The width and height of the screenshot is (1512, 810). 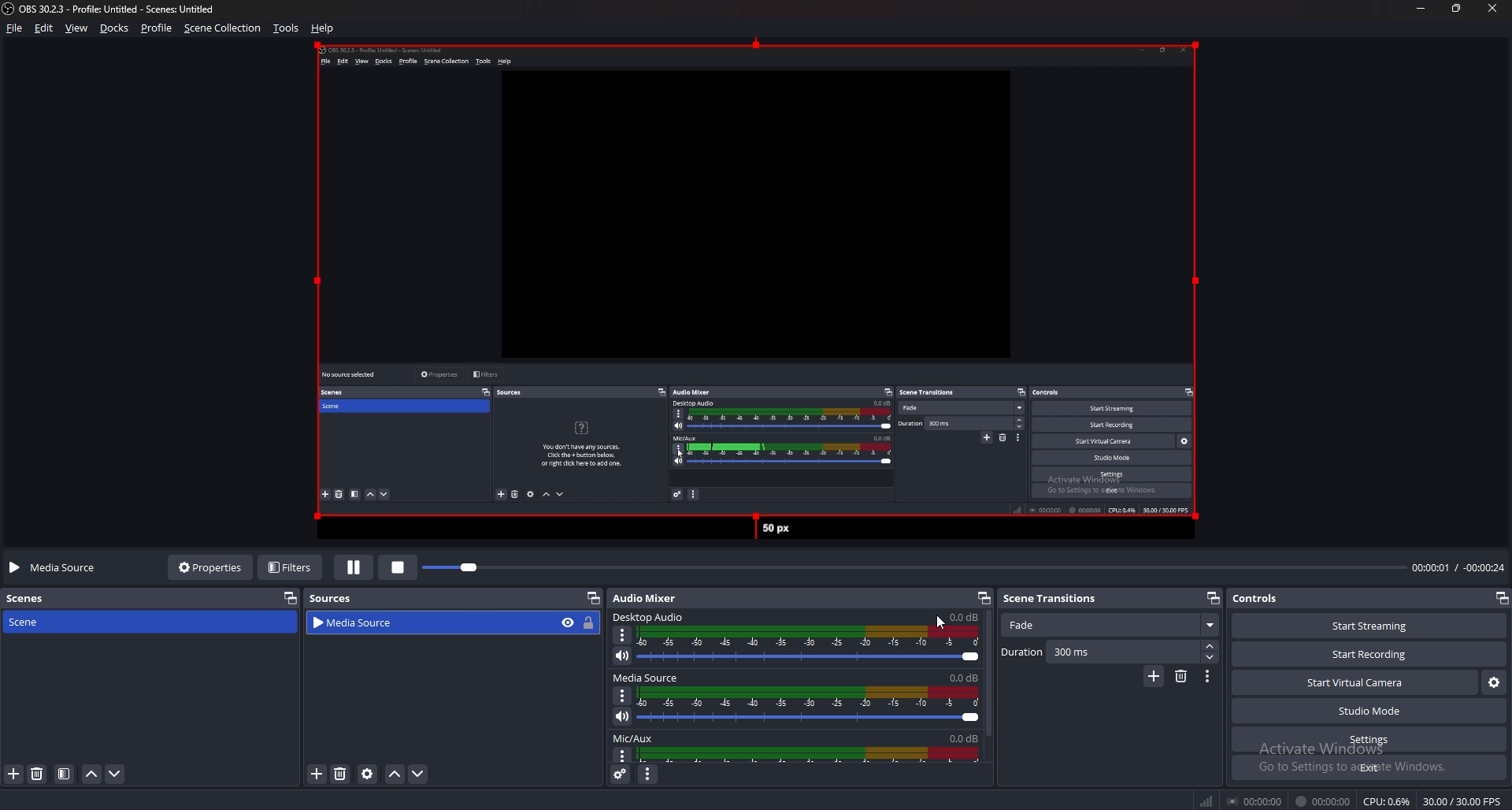 I want to click on Resize, so click(x=1457, y=7).